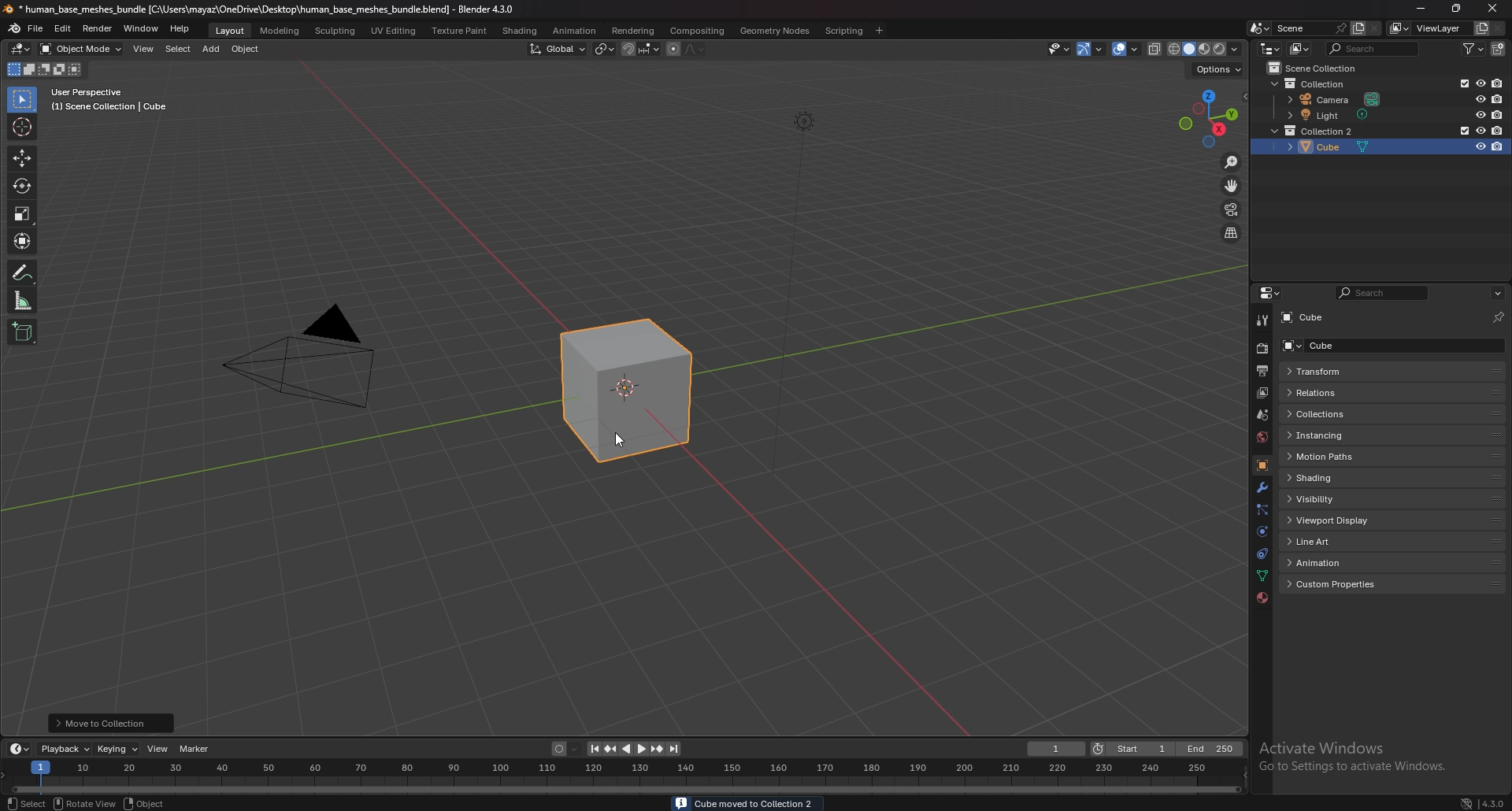 Image resolution: width=1512 pixels, height=811 pixels. What do you see at coordinates (1343, 477) in the screenshot?
I see `shading` at bounding box center [1343, 477].